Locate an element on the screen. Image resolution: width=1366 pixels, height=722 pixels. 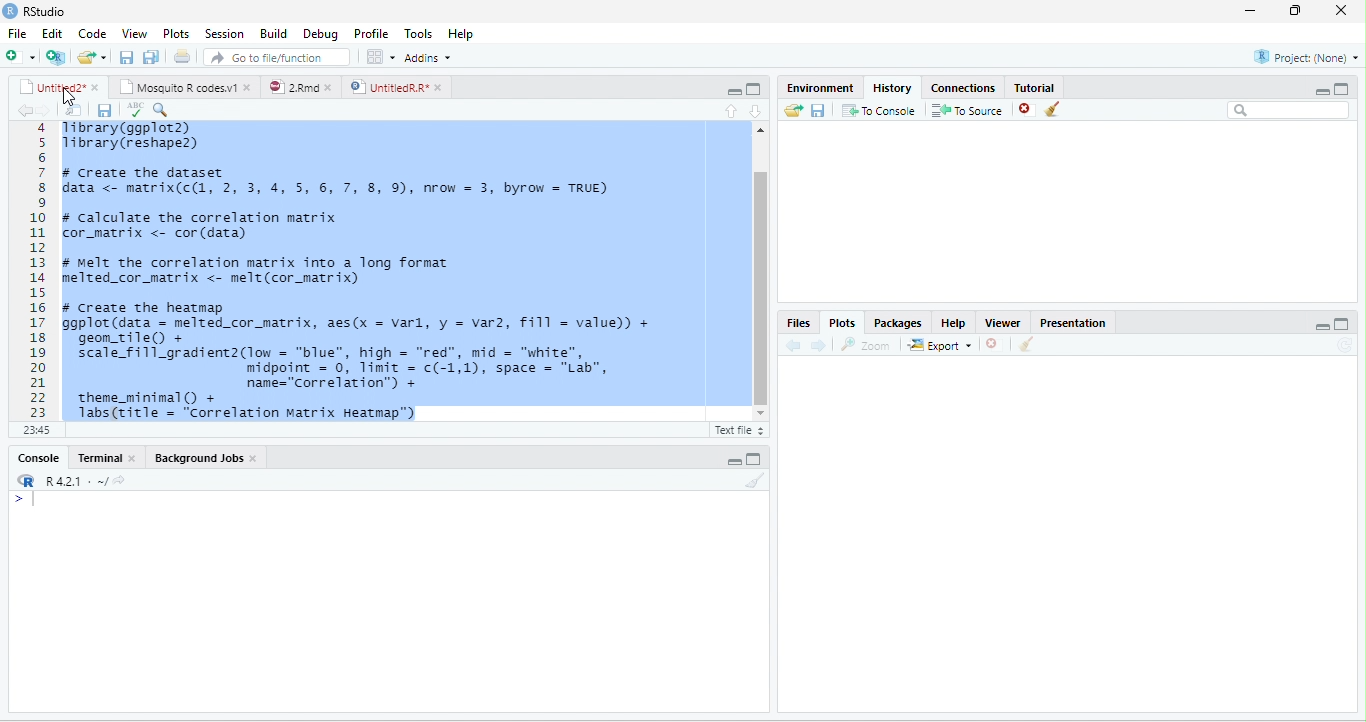
tutorial is located at coordinates (1062, 86).